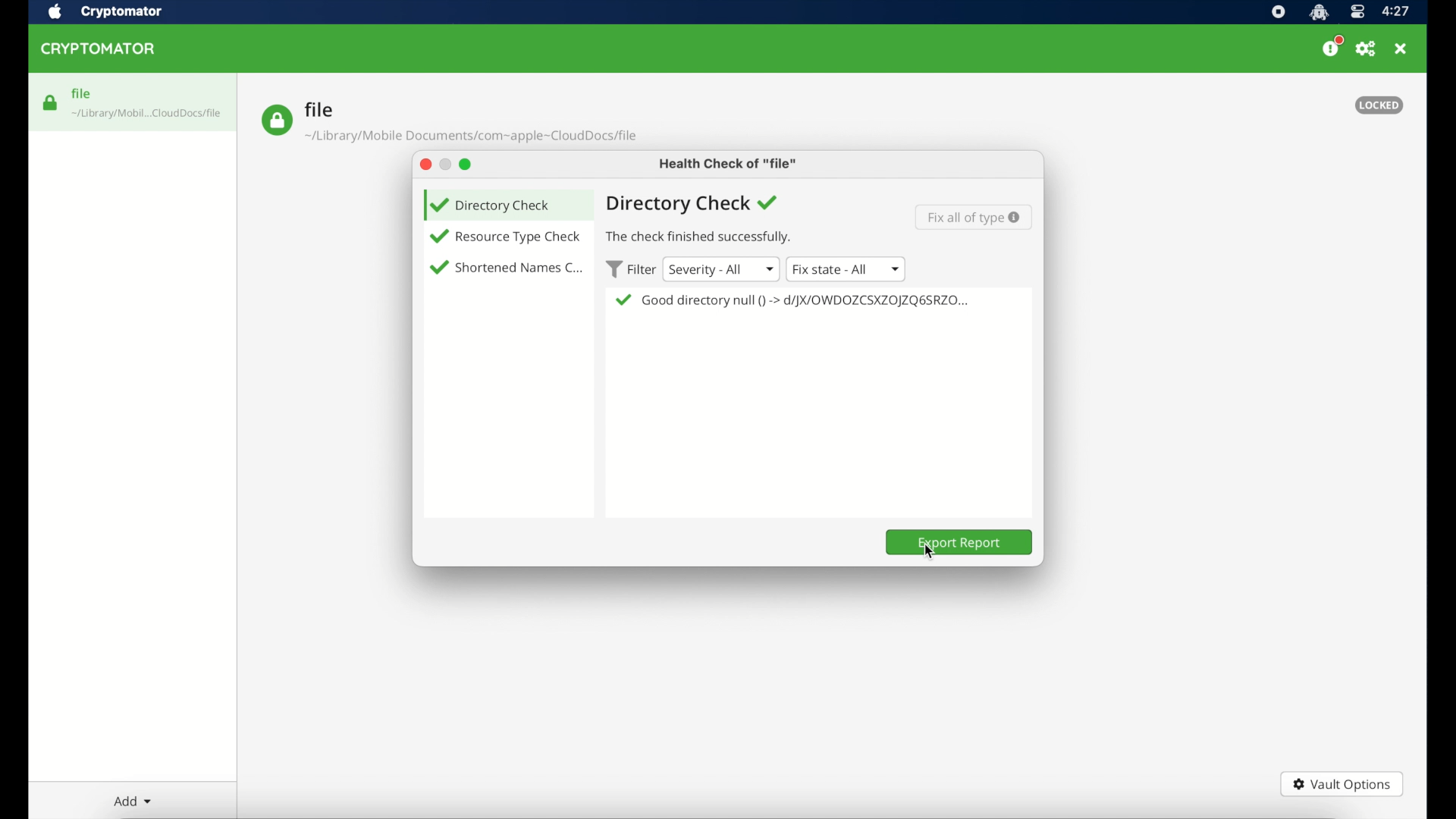 This screenshot has height=819, width=1456. What do you see at coordinates (122, 11) in the screenshot?
I see `cryptomator` at bounding box center [122, 11].